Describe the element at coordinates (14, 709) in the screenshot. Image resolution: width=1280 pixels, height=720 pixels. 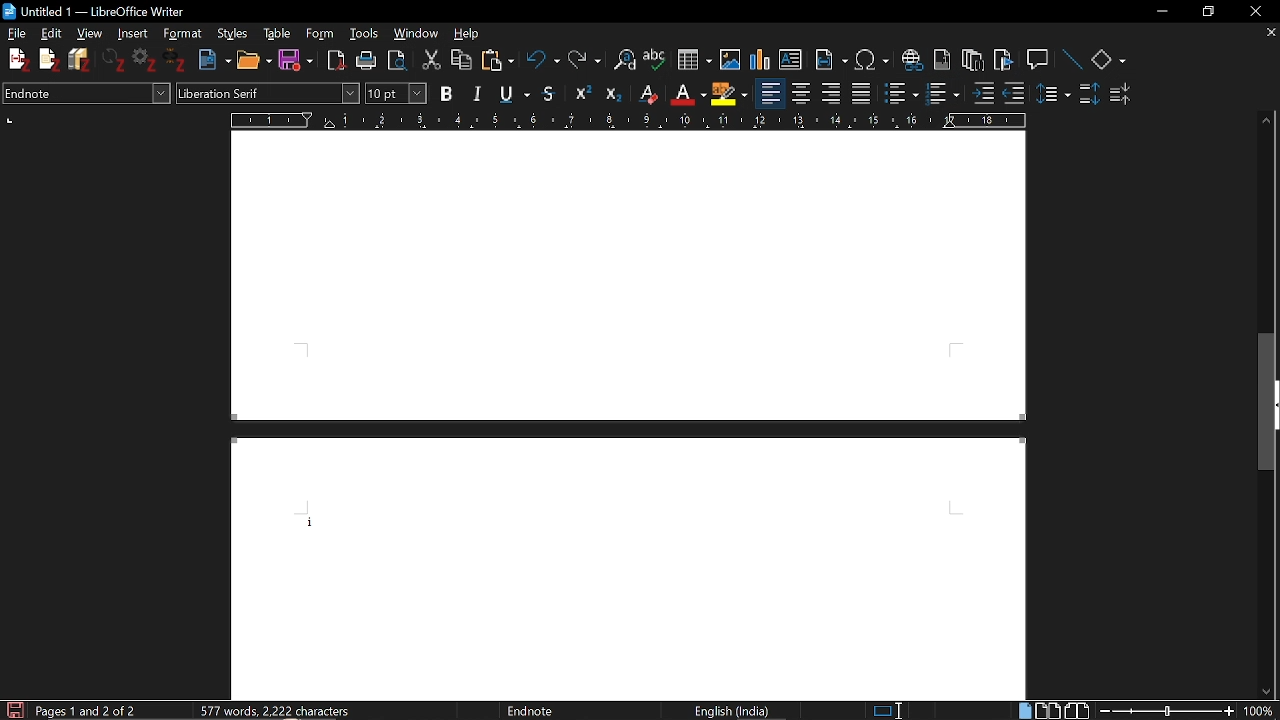
I see `Save` at that location.